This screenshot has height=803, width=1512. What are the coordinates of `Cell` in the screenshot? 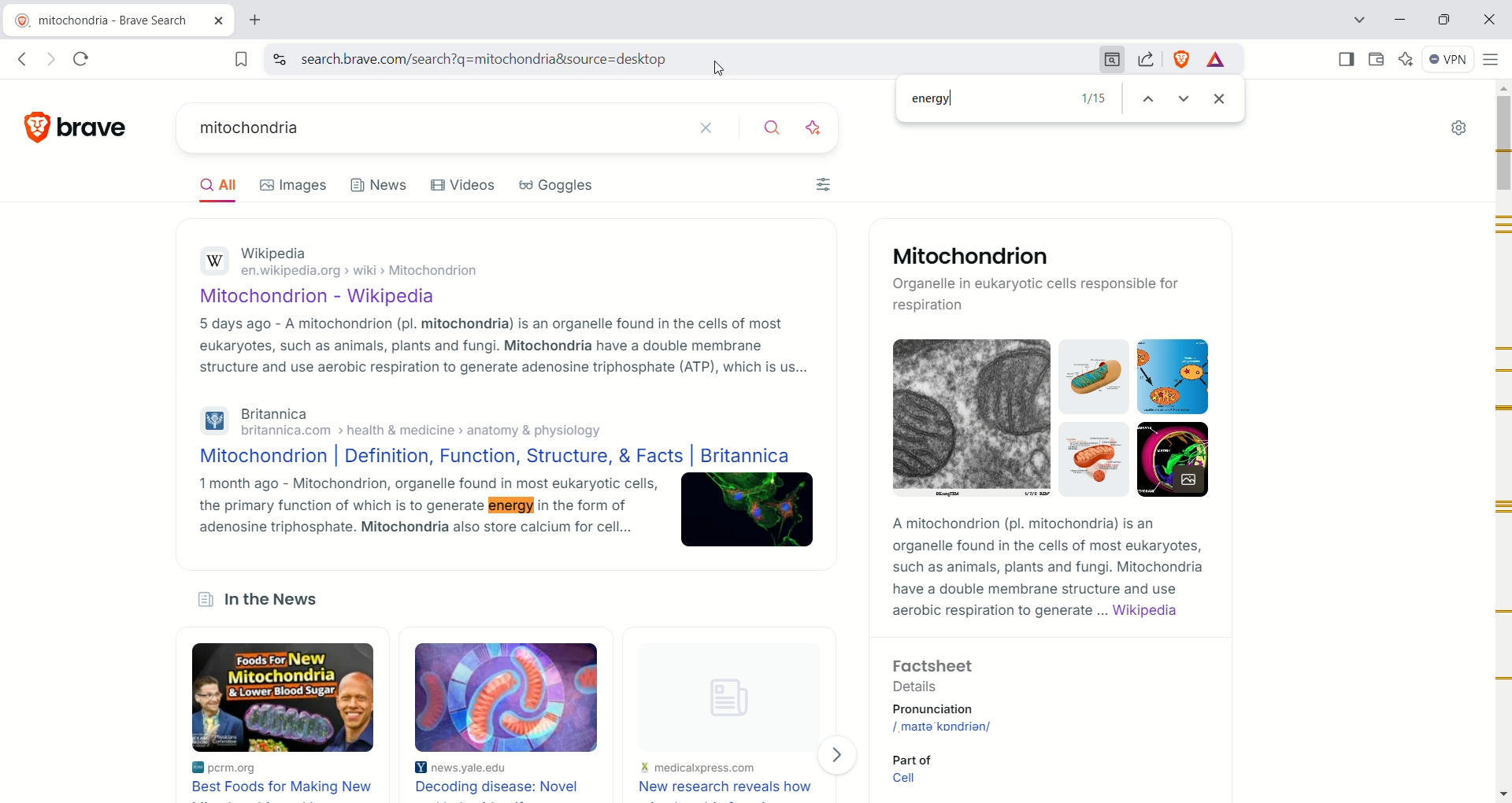 It's located at (930, 779).